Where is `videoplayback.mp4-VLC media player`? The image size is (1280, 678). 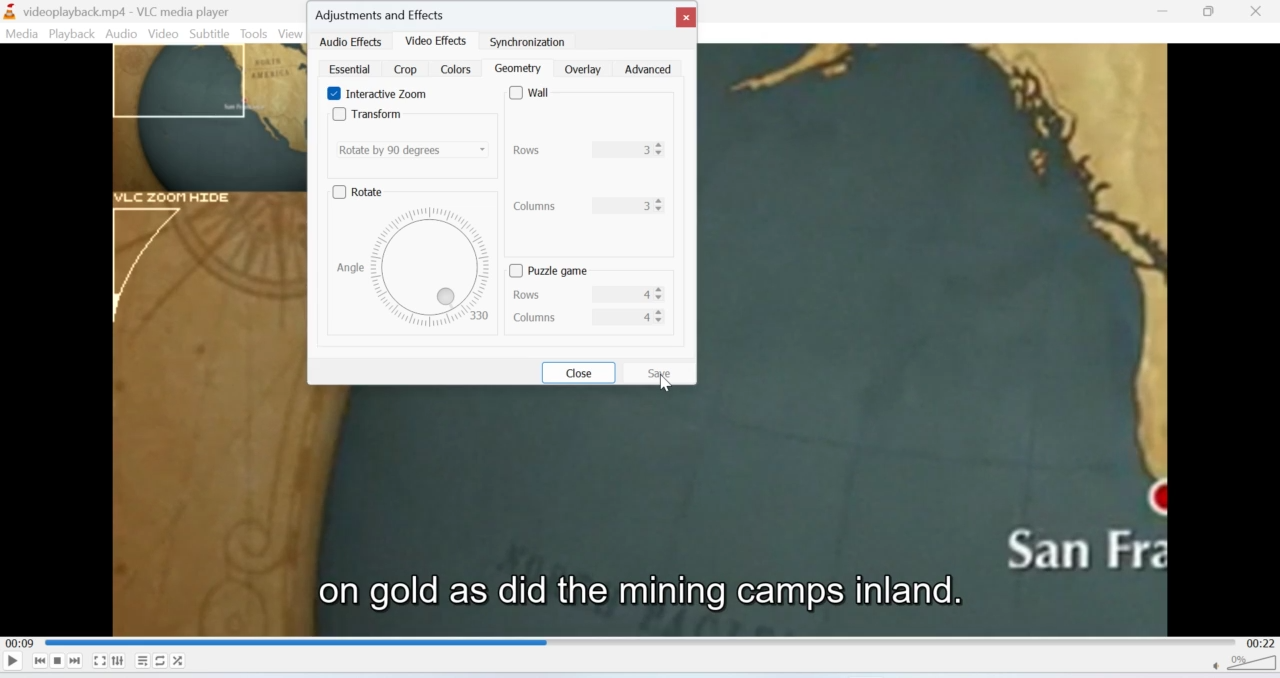
videoplayback.mp4-VLC media player is located at coordinates (117, 13).